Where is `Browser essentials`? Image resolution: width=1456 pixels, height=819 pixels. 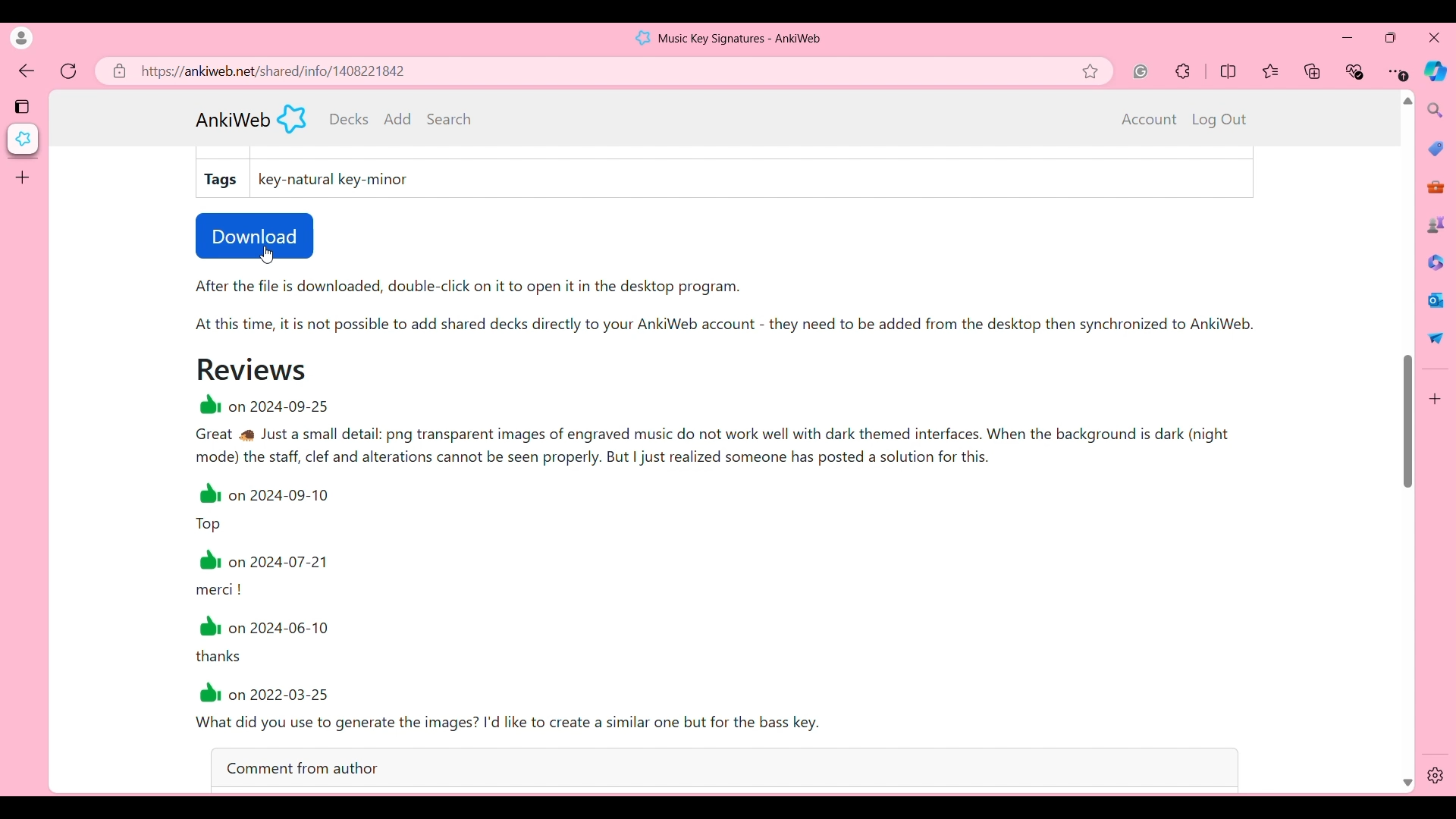
Browser essentials is located at coordinates (1356, 71).